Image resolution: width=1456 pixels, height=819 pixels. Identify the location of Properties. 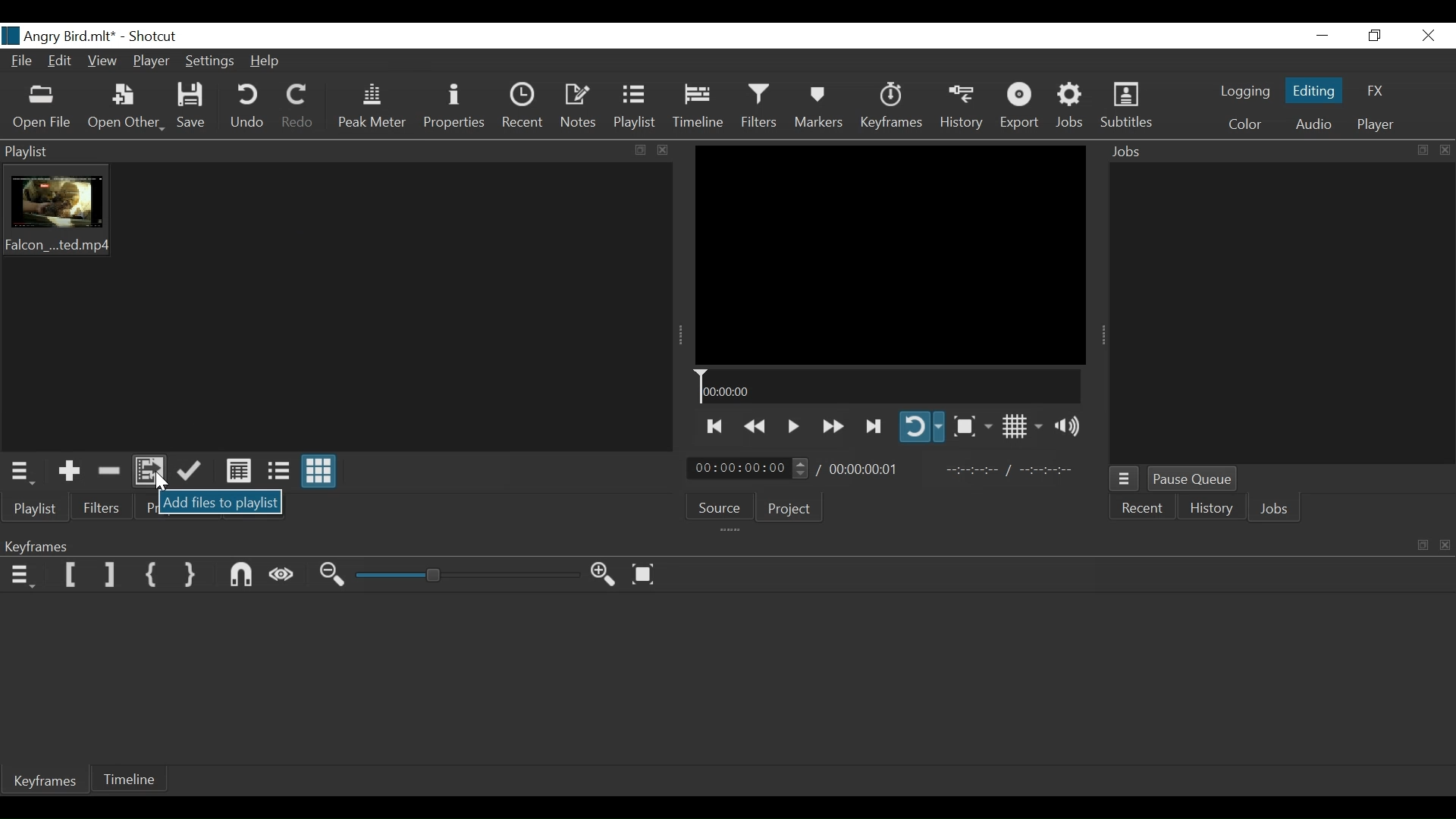
(457, 108).